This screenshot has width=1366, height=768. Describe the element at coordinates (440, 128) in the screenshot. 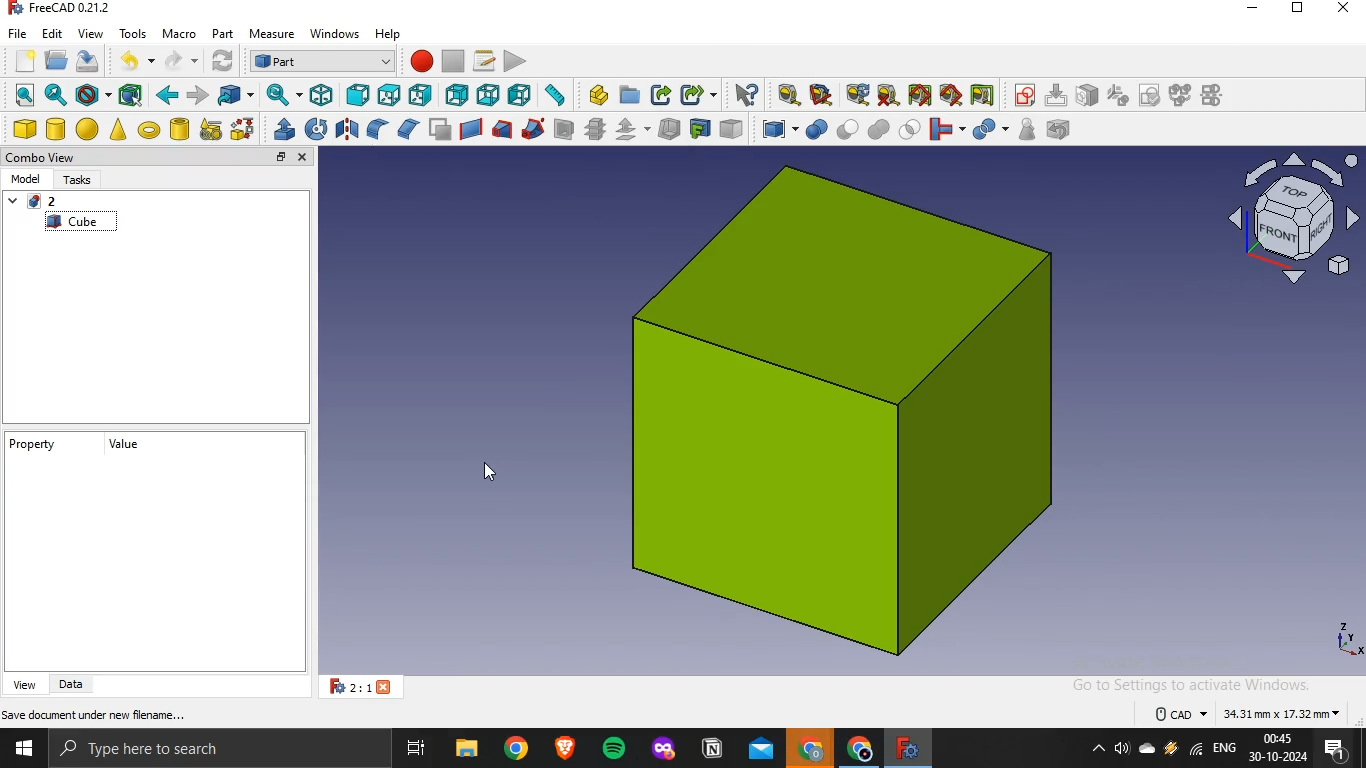

I see `make face from wires` at that location.